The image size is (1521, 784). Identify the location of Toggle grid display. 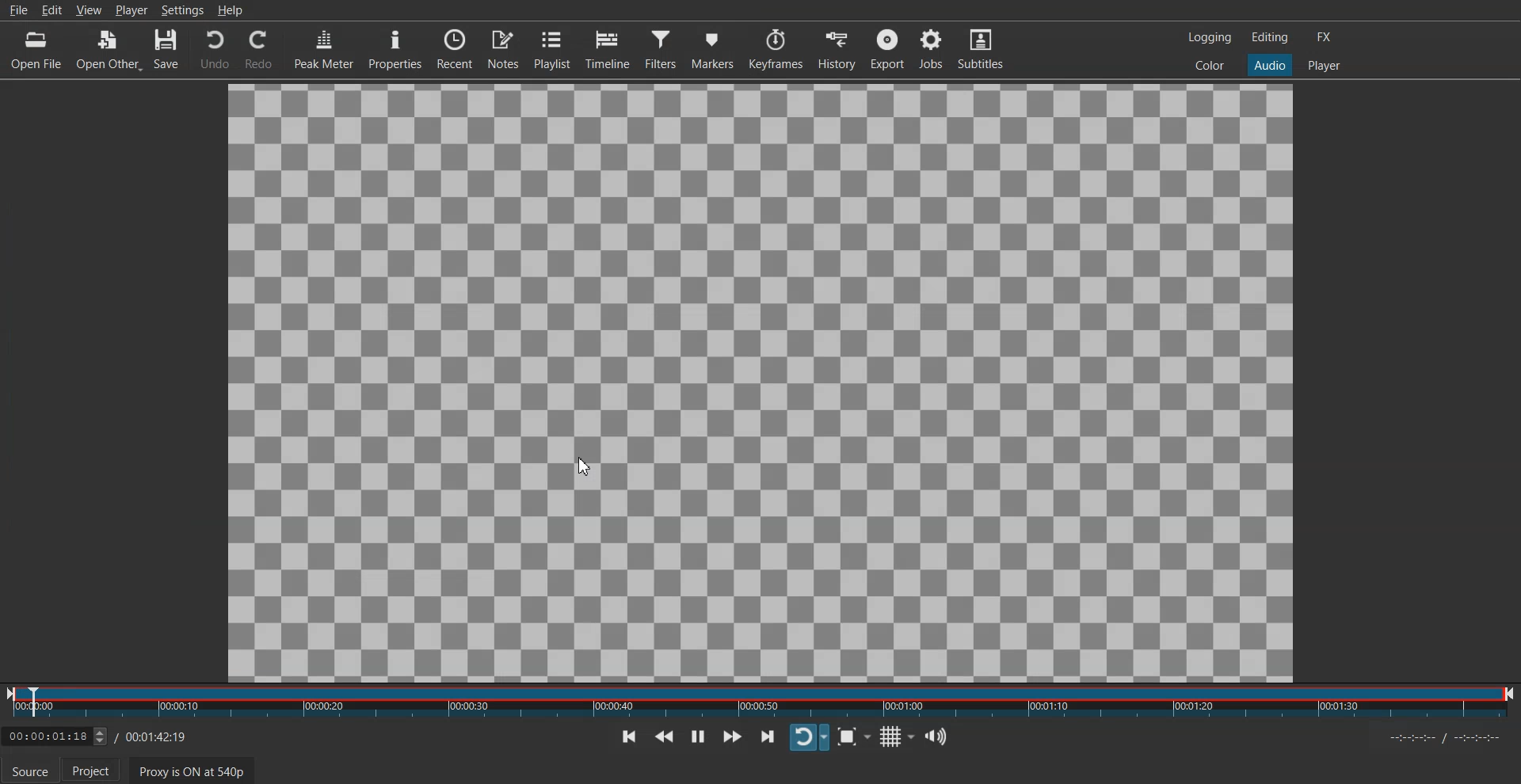
(896, 736).